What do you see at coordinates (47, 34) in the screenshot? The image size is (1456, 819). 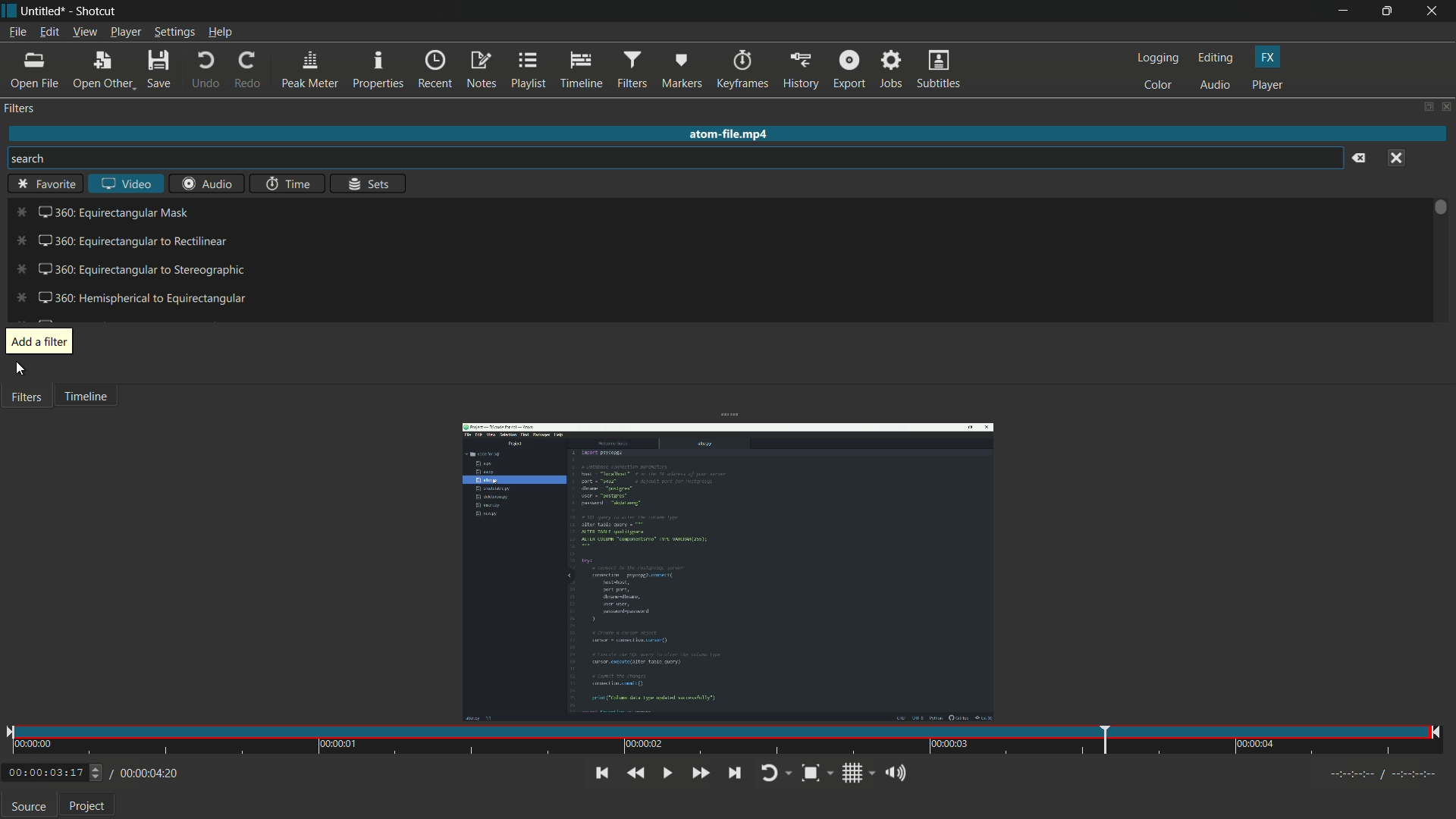 I see `edit menu` at bounding box center [47, 34].